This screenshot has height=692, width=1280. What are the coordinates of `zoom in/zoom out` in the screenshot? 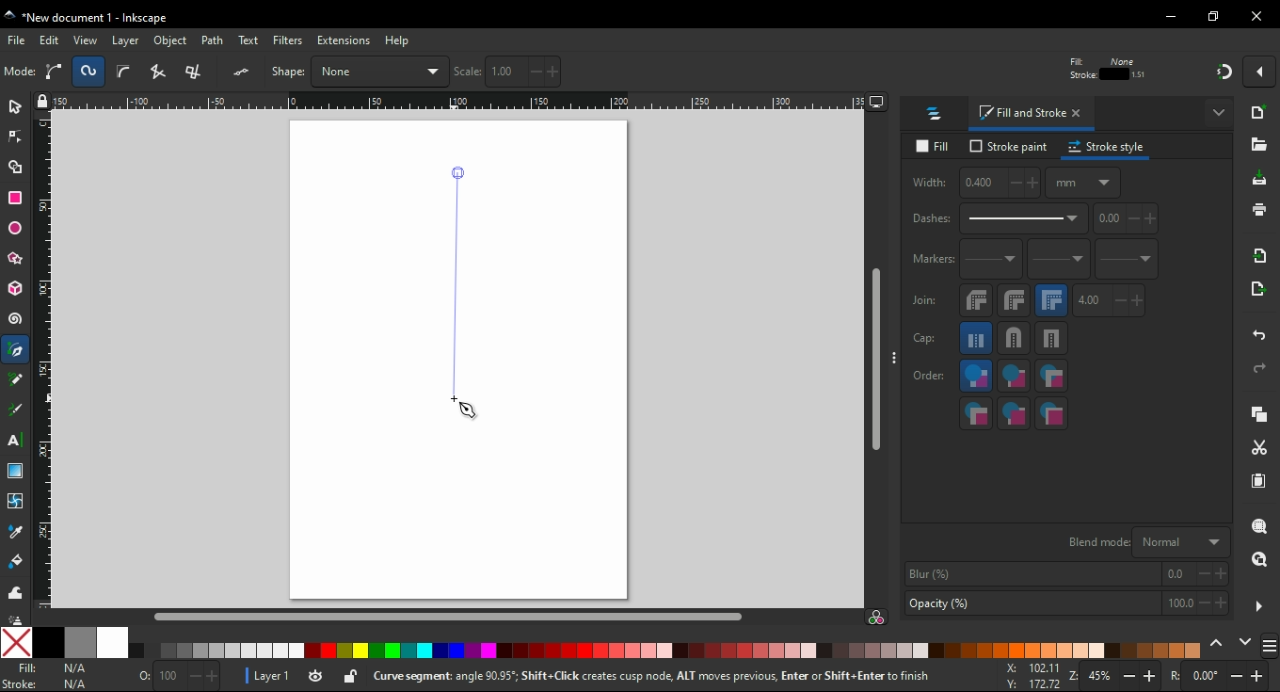 It's located at (1116, 678).